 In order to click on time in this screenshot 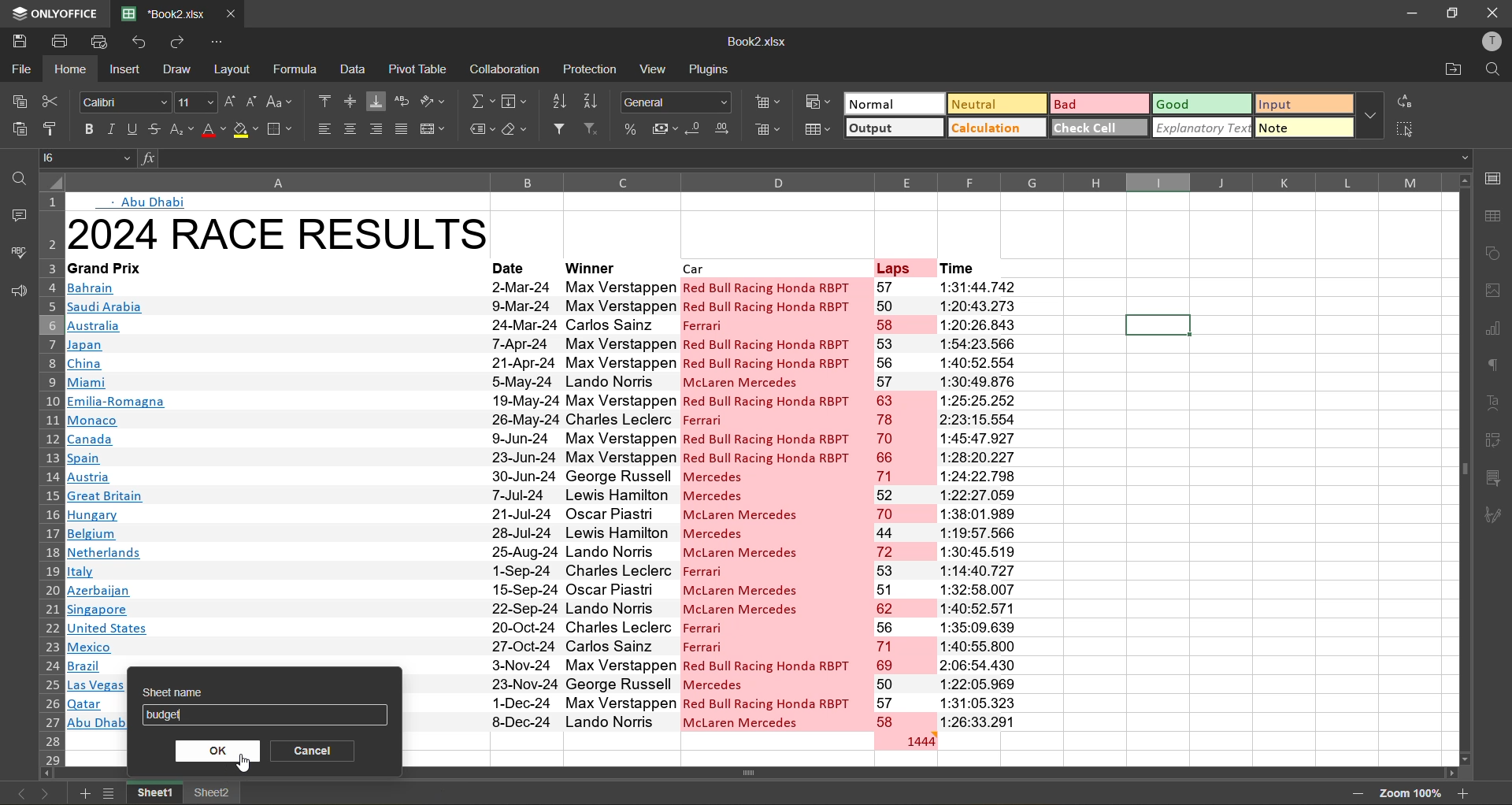, I will do `click(975, 503)`.